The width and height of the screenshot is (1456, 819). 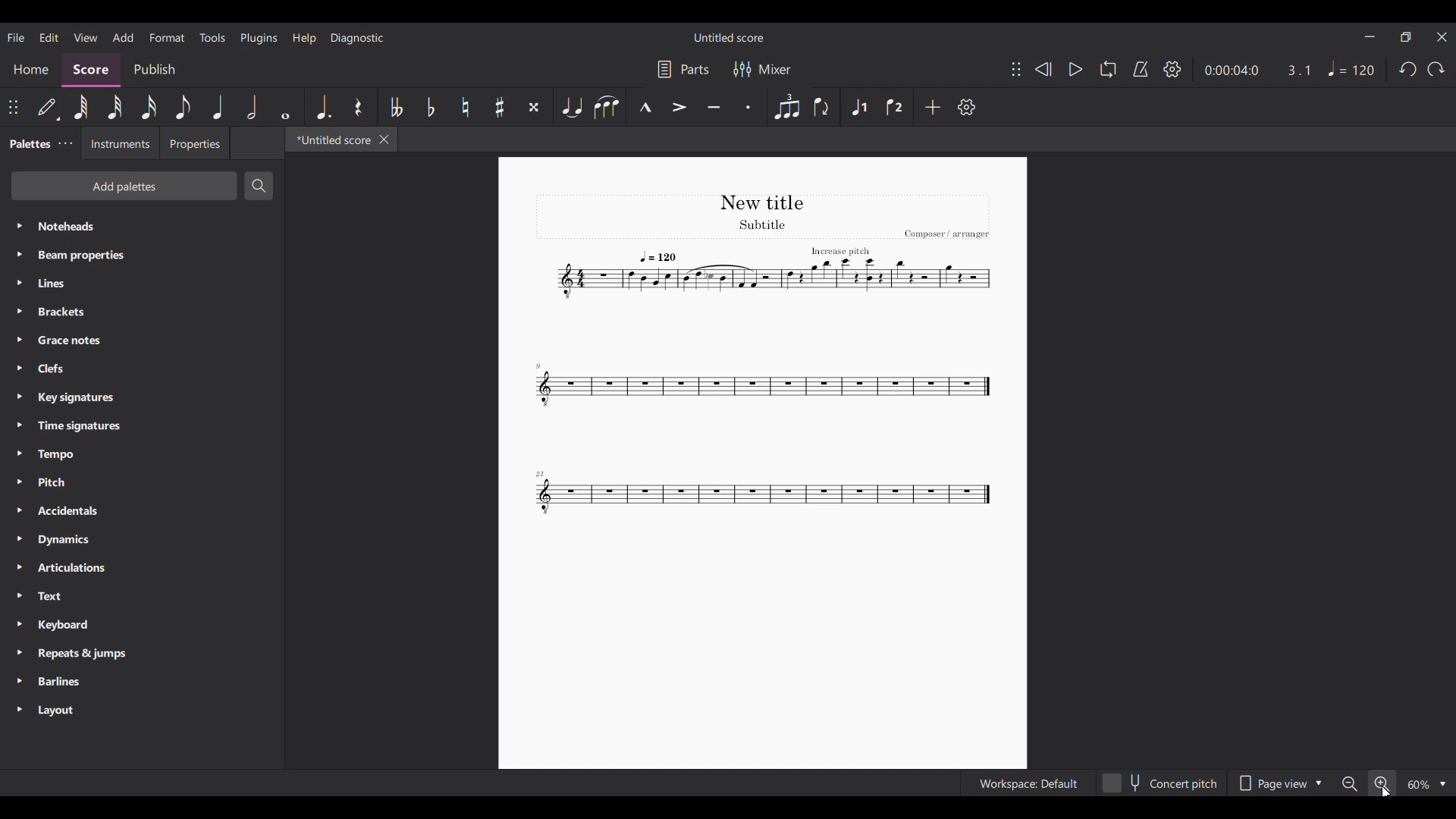 What do you see at coordinates (330, 140) in the screenshot?
I see `*Untitled score, current tab` at bounding box center [330, 140].